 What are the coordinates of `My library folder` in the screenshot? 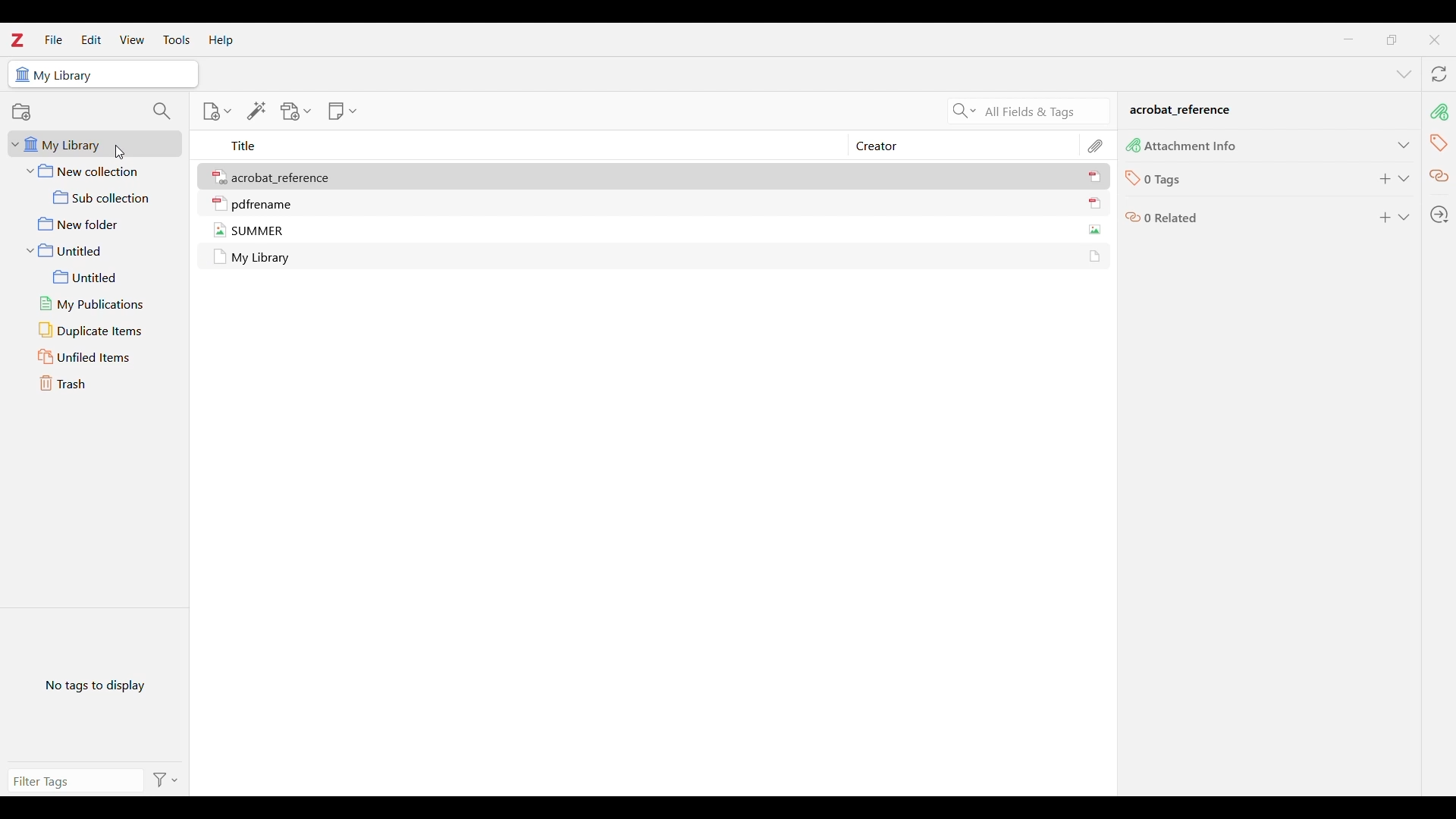 It's located at (94, 144).